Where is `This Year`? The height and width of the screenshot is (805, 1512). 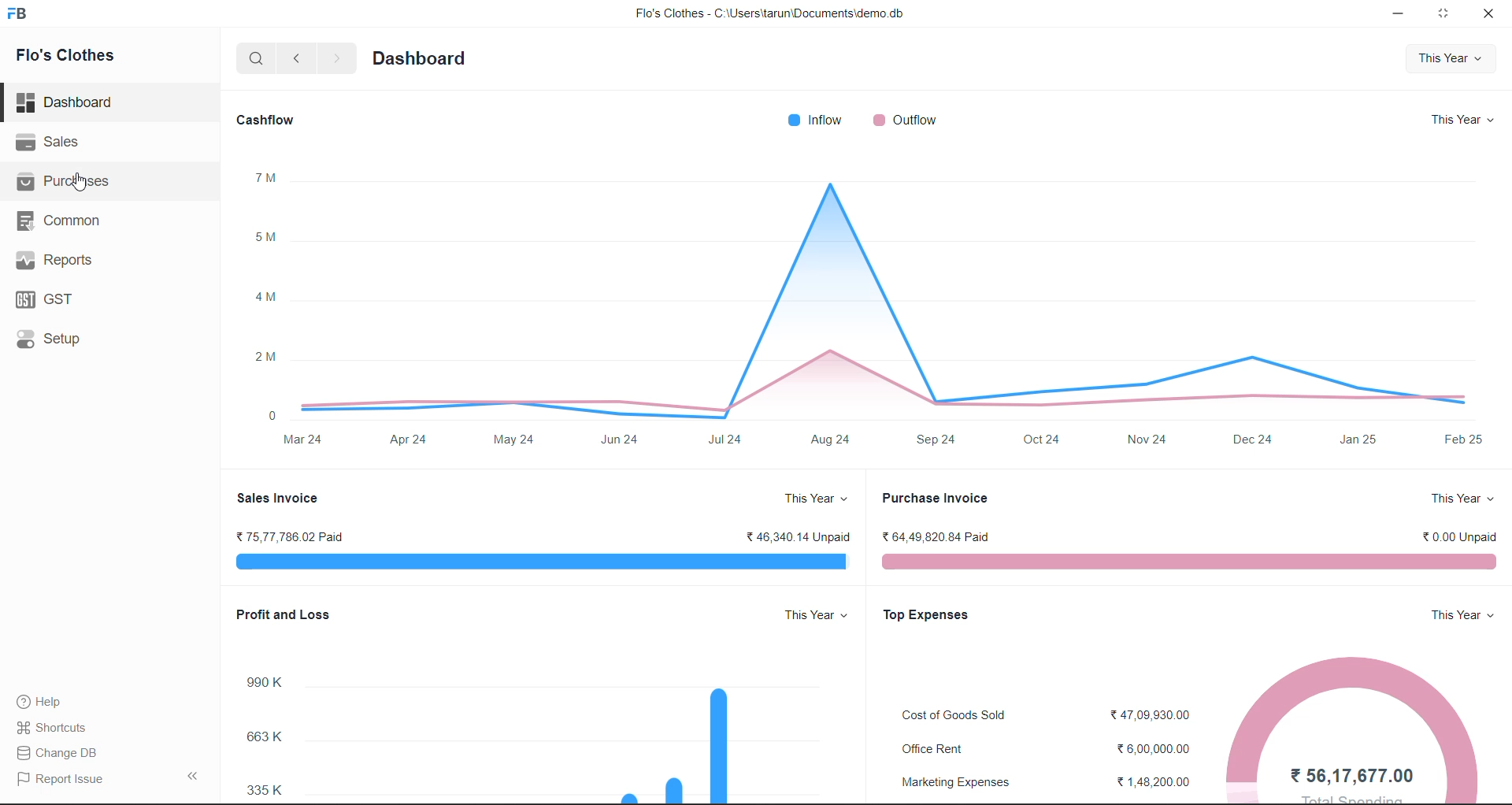
This Year is located at coordinates (1454, 617).